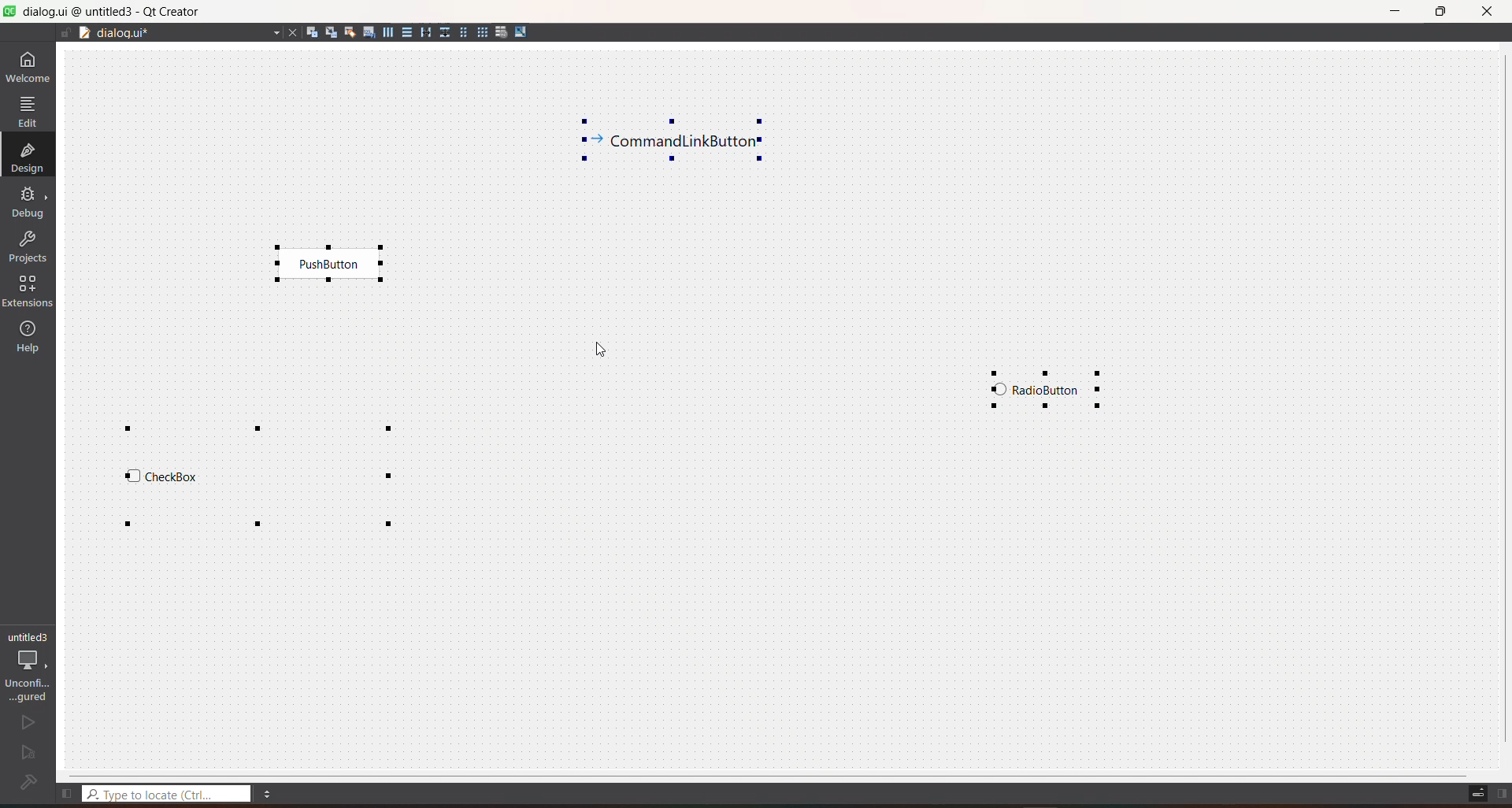 This screenshot has width=1512, height=808. I want to click on break layout, so click(502, 32).